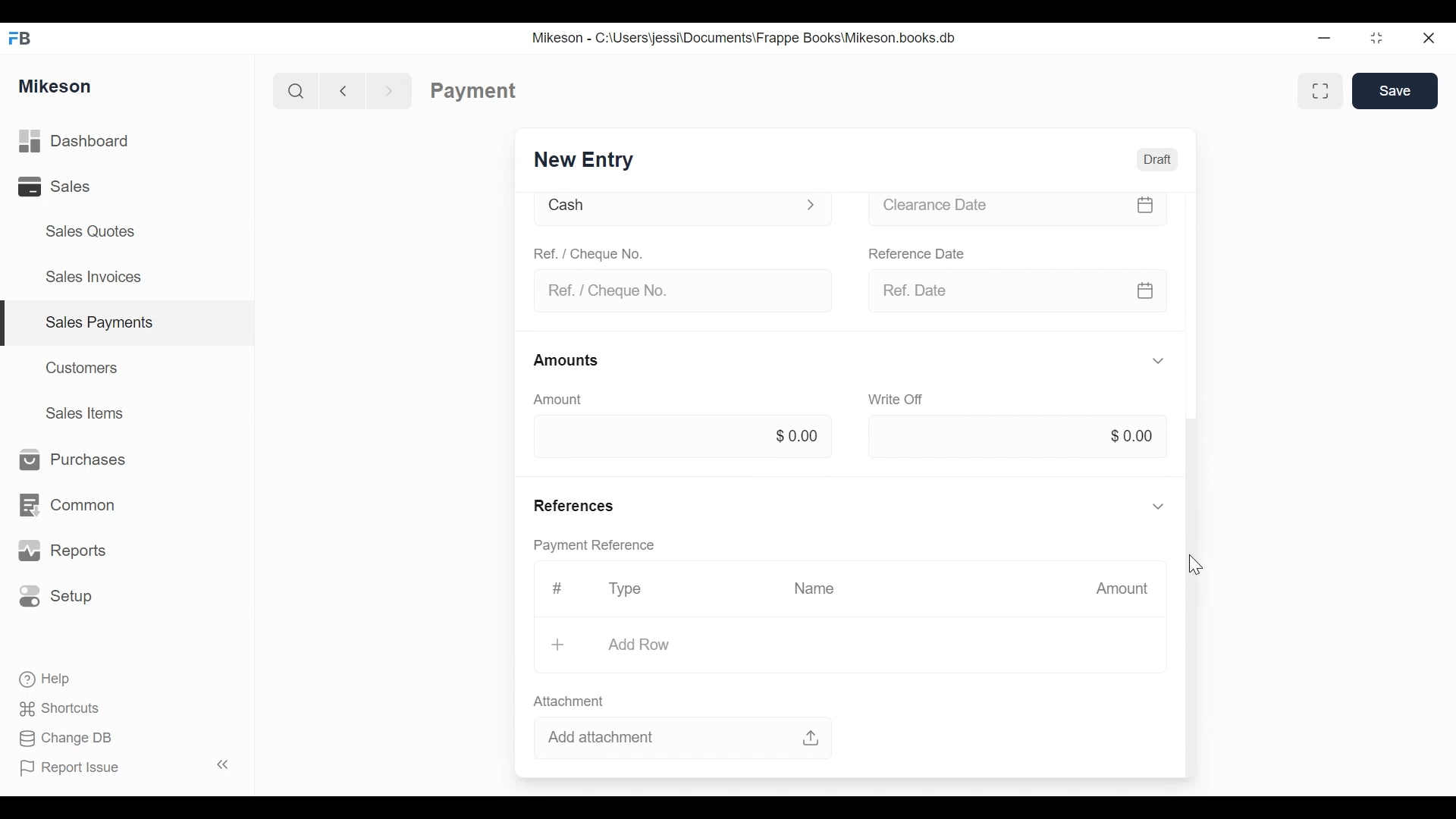  I want to click on payment, so click(474, 91).